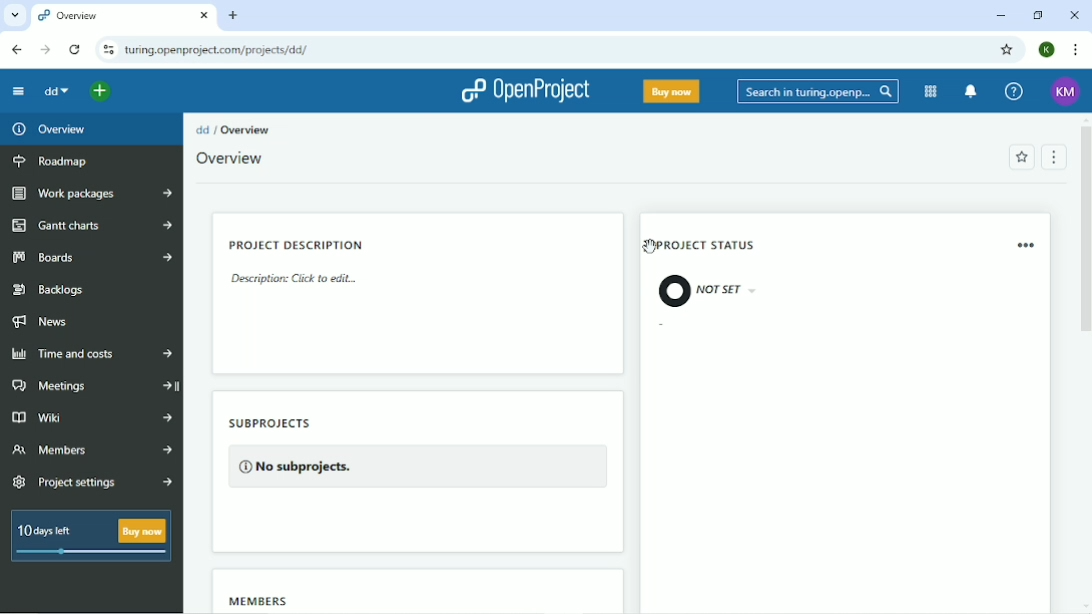  What do you see at coordinates (259, 600) in the screenshot?
I see `Members` at bounding box center [259, 600].